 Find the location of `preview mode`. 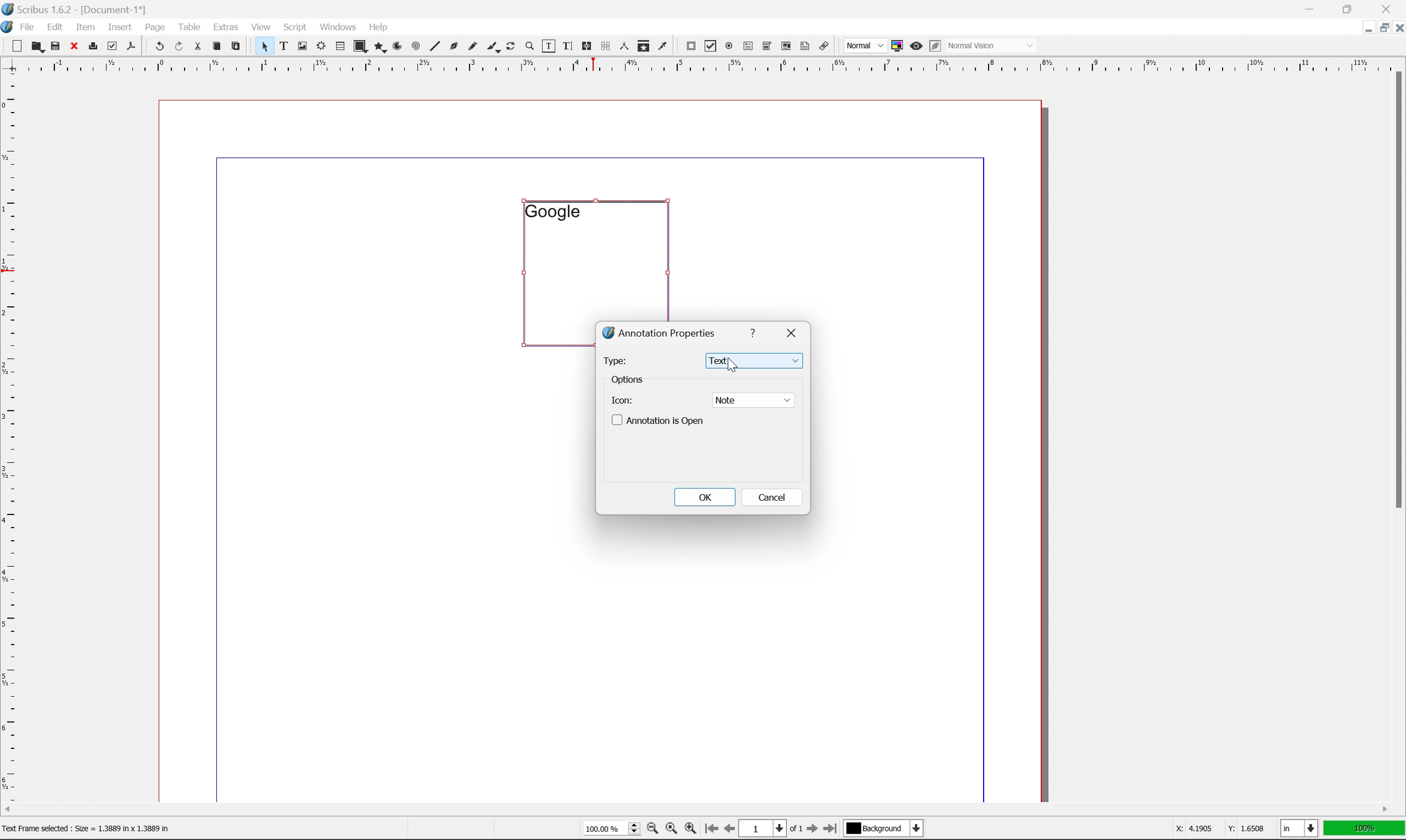

preview mode is located at coordinates (914, 45).